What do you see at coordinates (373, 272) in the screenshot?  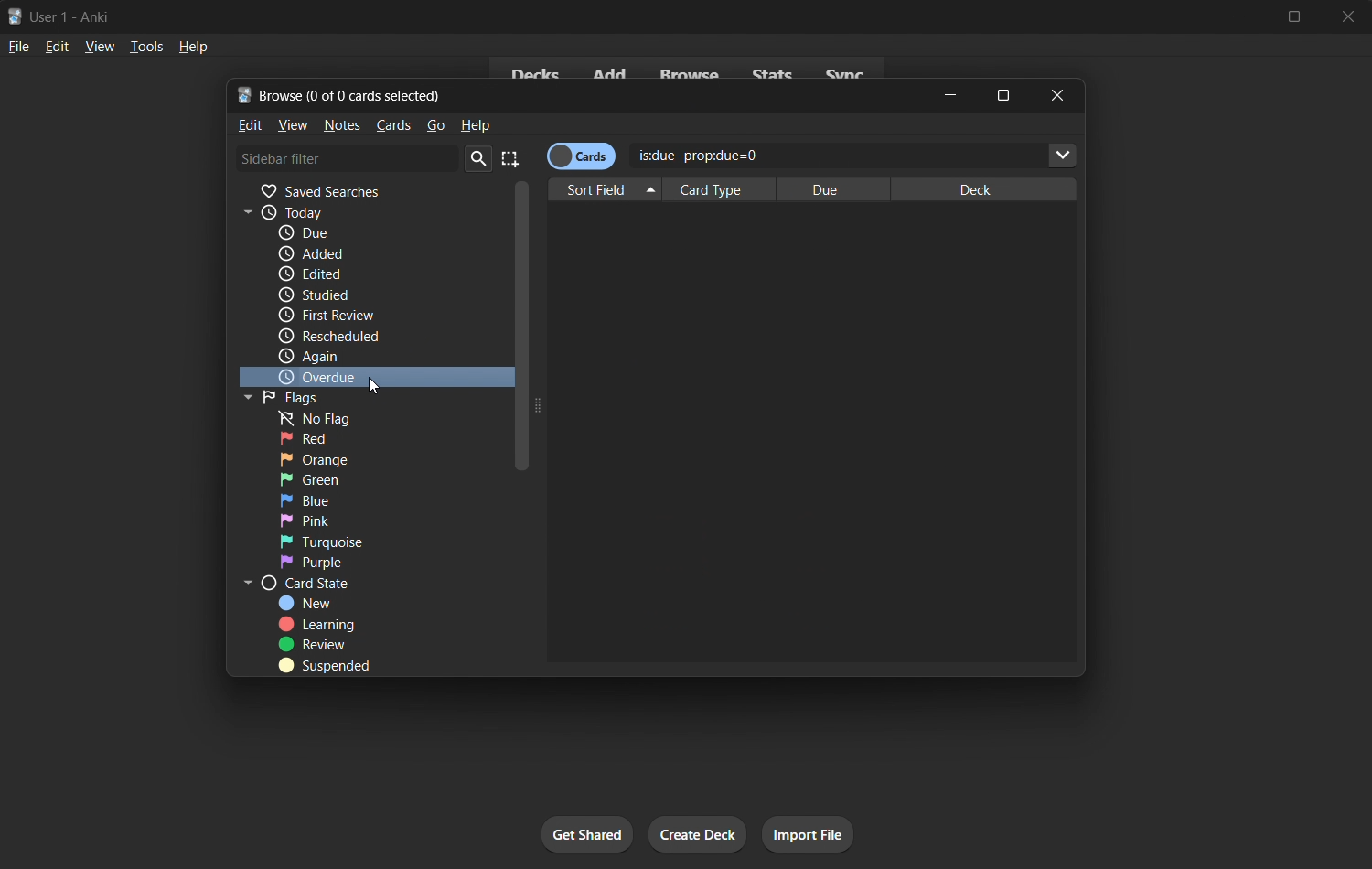 I see `edited ` at bounding box center [373, 272].